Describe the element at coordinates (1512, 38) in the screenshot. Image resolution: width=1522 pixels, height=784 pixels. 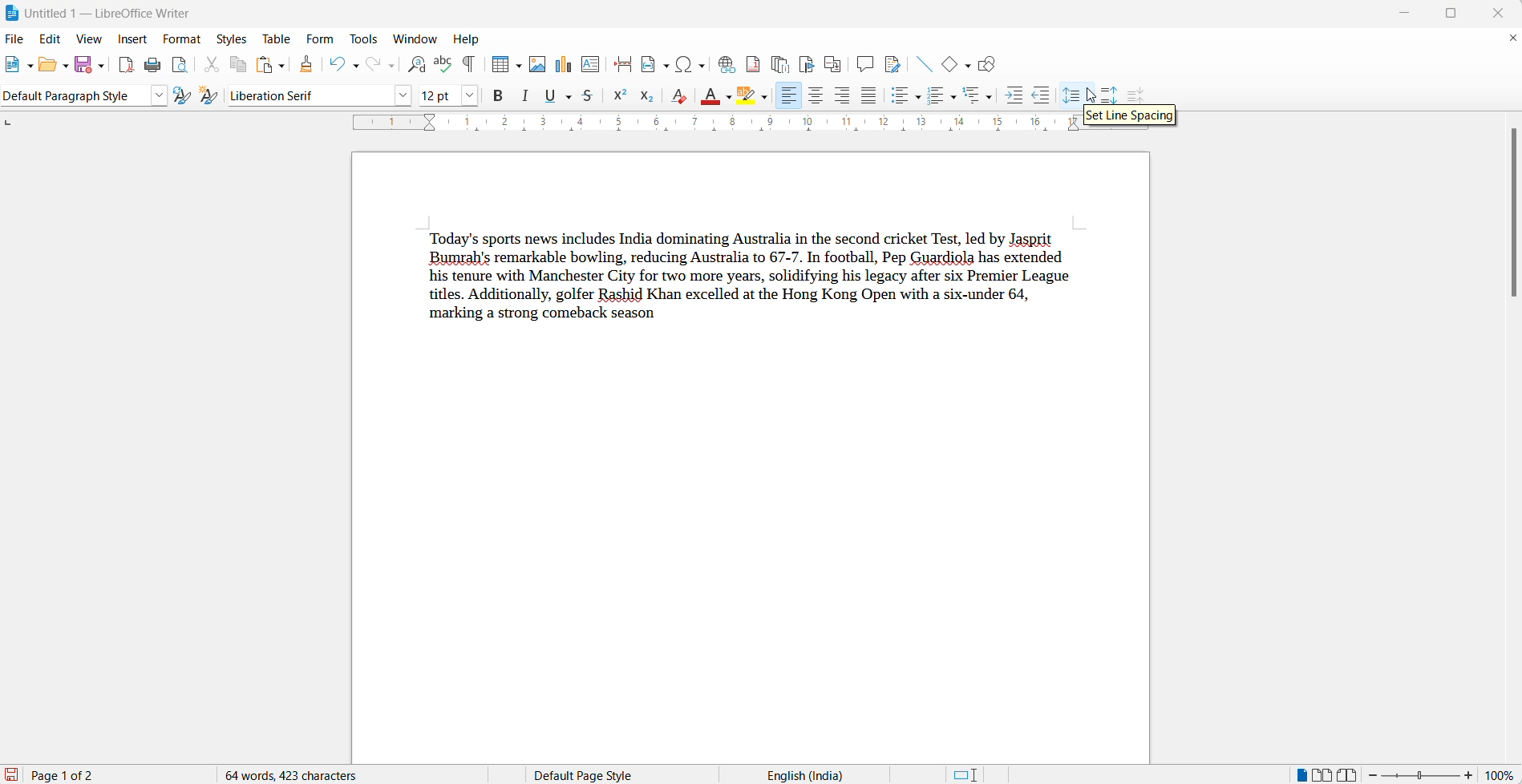
I see `close document` at that location.